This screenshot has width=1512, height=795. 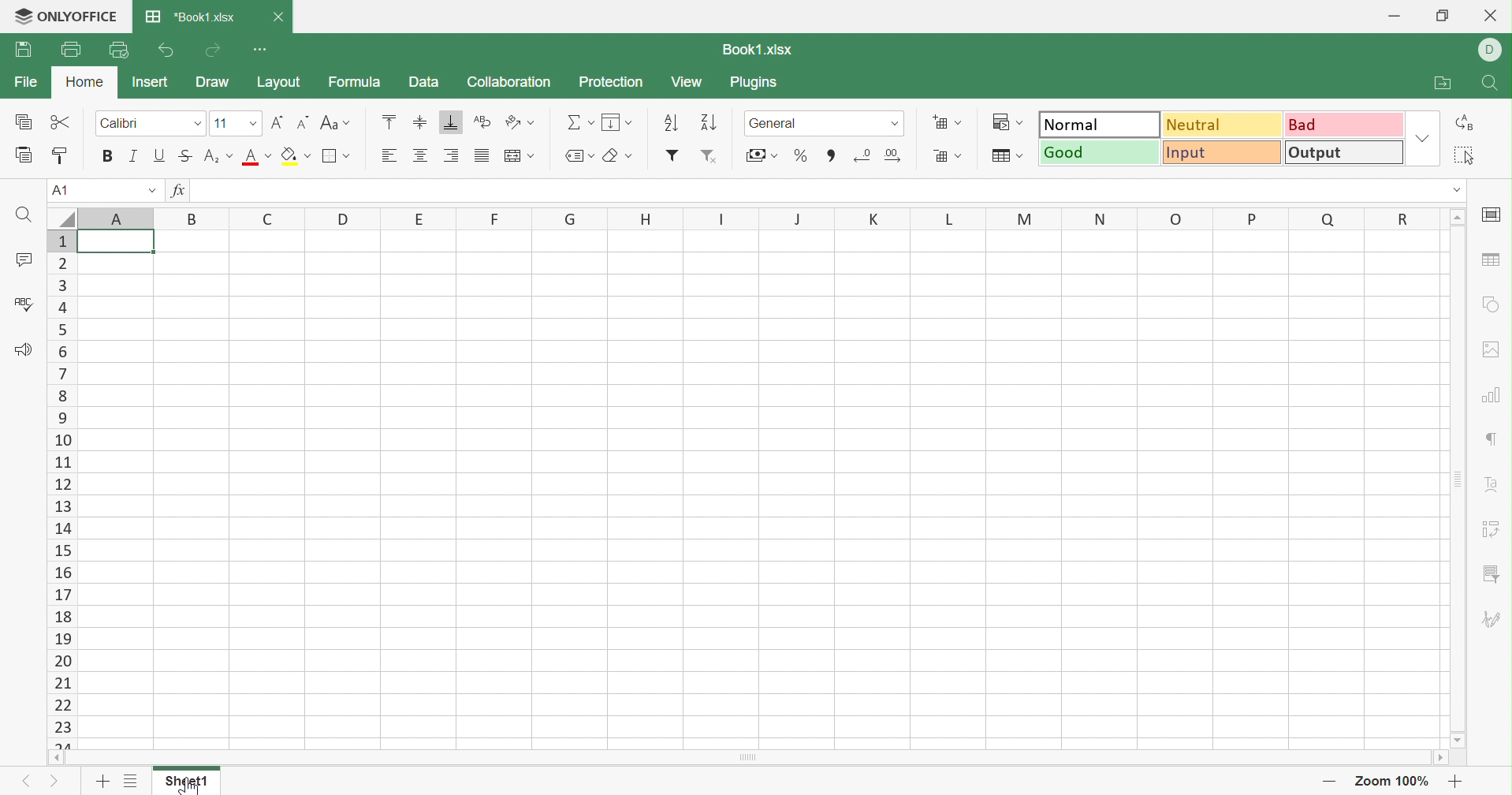 What do you see at coordinates (830, 155) in the screenshot?
I see `Comma style` at bounding box center [830, 155].